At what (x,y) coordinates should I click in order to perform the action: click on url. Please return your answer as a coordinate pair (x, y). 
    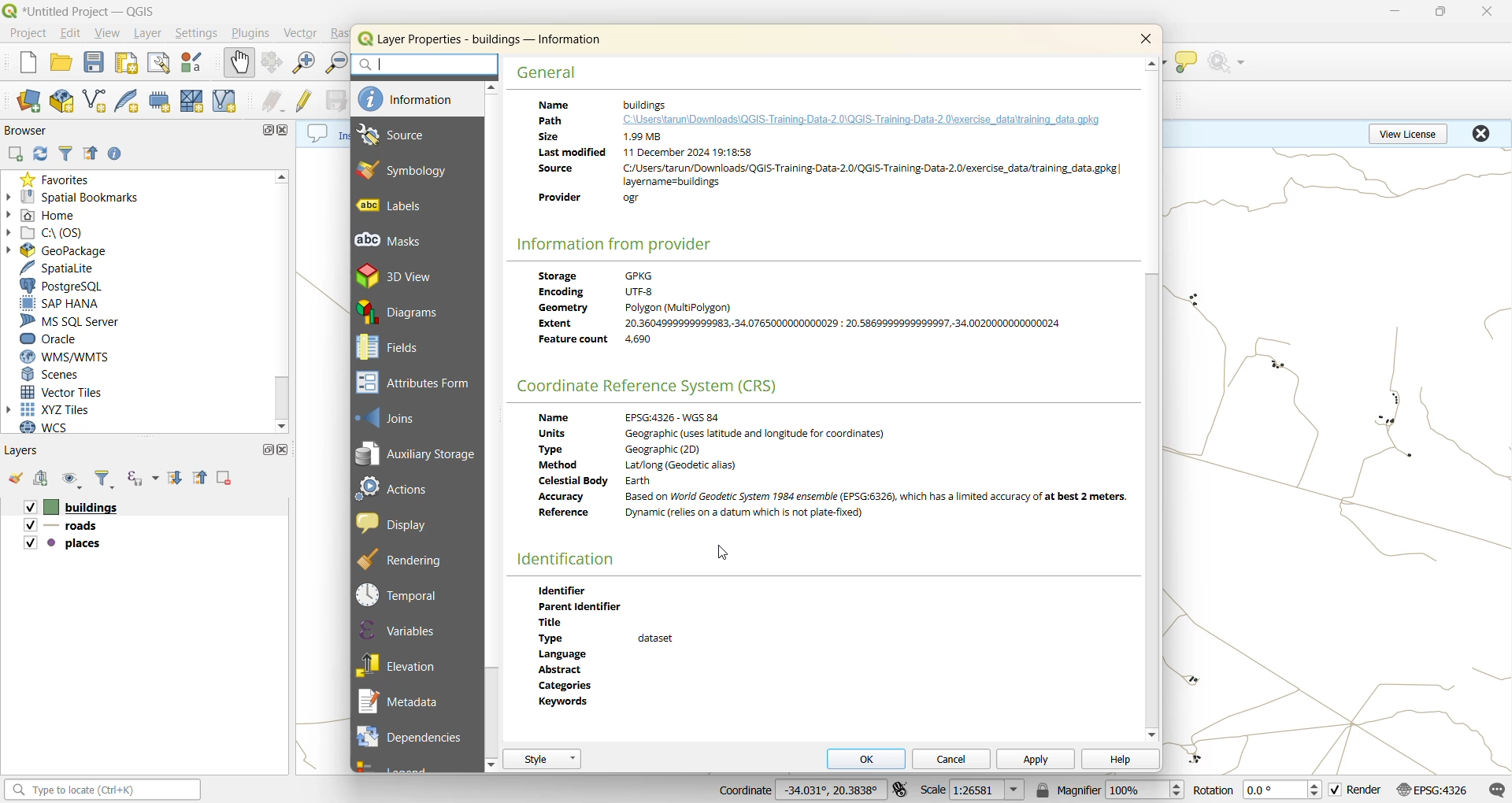
    Looking at the image, I should click on (857, 120).